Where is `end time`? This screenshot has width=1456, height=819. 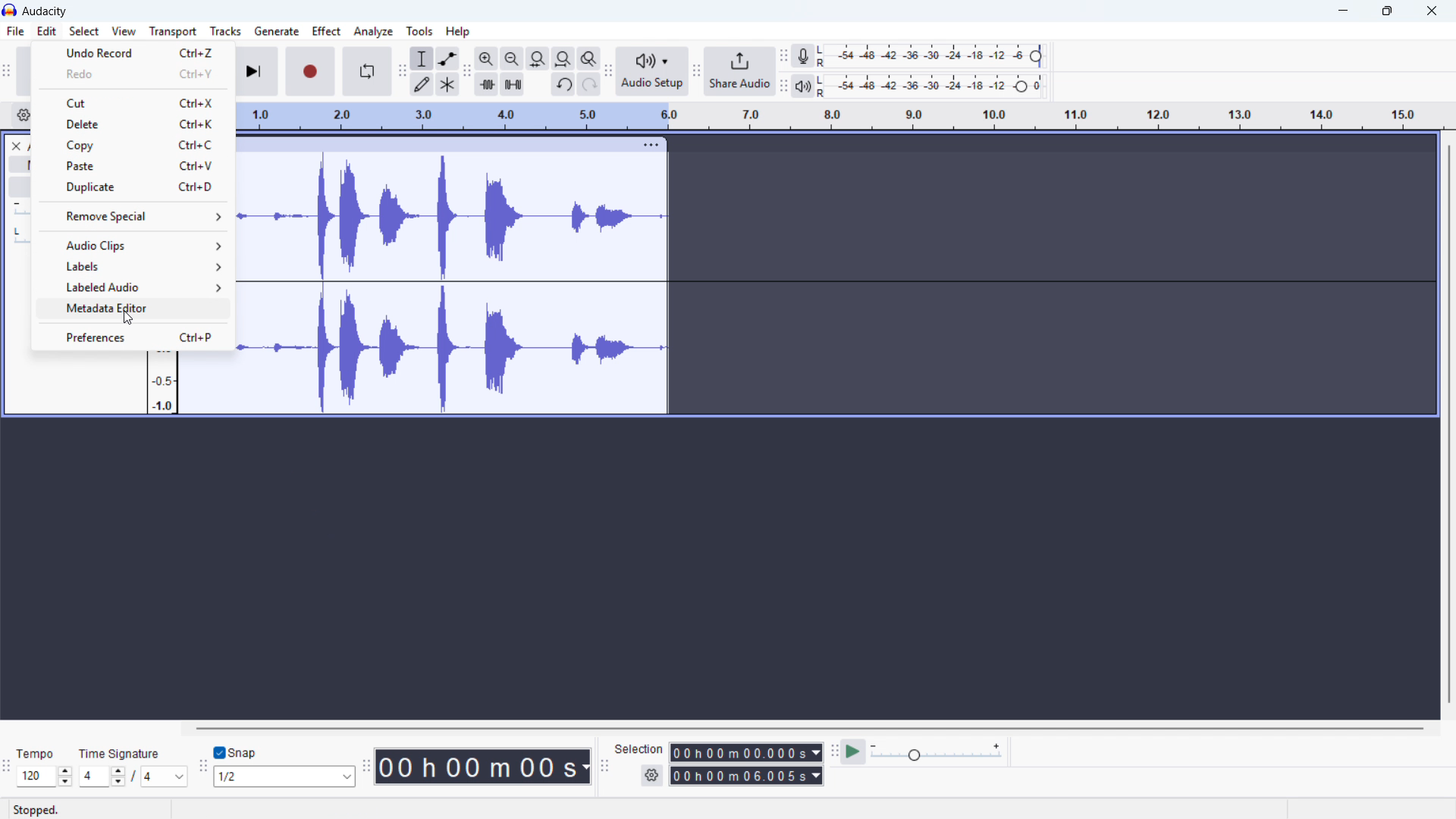
end time is located at coordinates (747, 776).